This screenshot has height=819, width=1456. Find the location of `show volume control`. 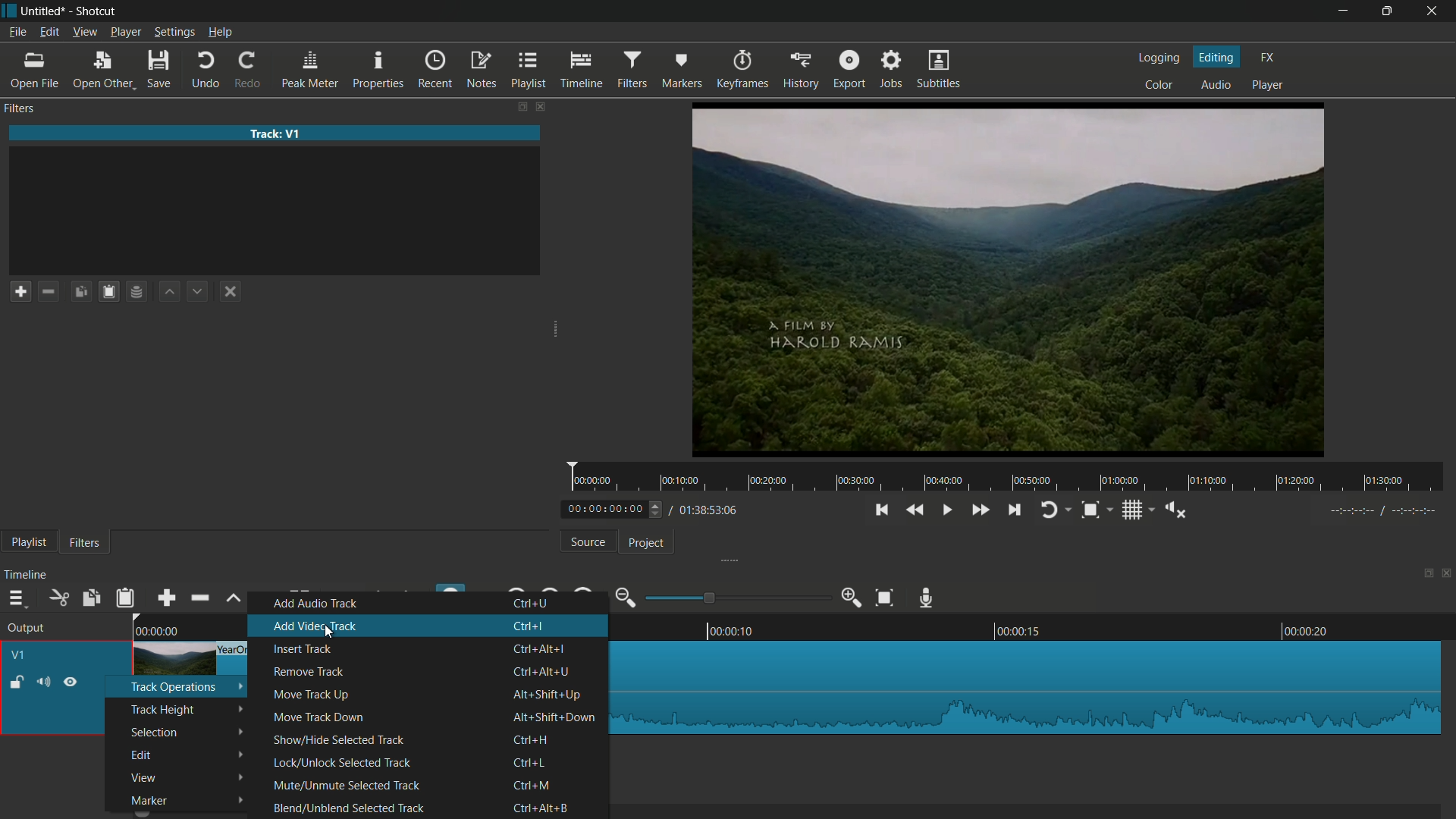

show volume control is located at coordinates (1175, 508).